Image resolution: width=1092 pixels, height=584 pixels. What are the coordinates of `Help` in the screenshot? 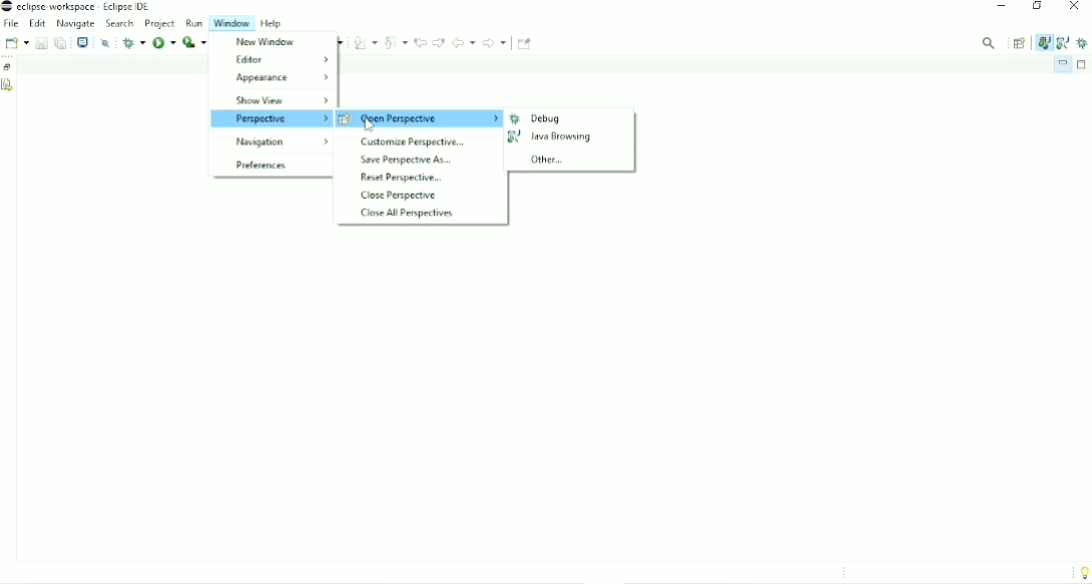 It's located at (275, 23).